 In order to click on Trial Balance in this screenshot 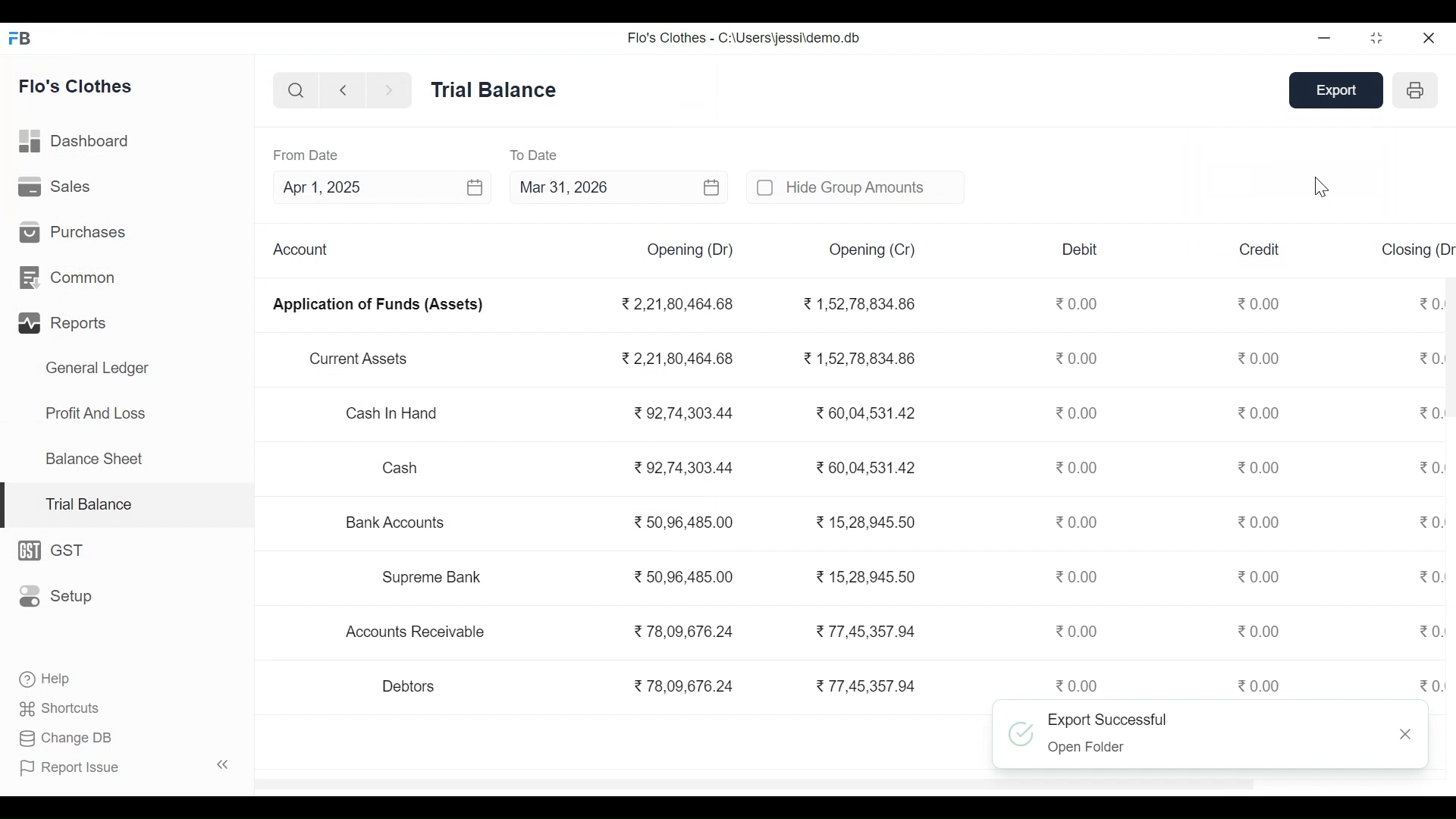, I will do `click(128, 506)`.